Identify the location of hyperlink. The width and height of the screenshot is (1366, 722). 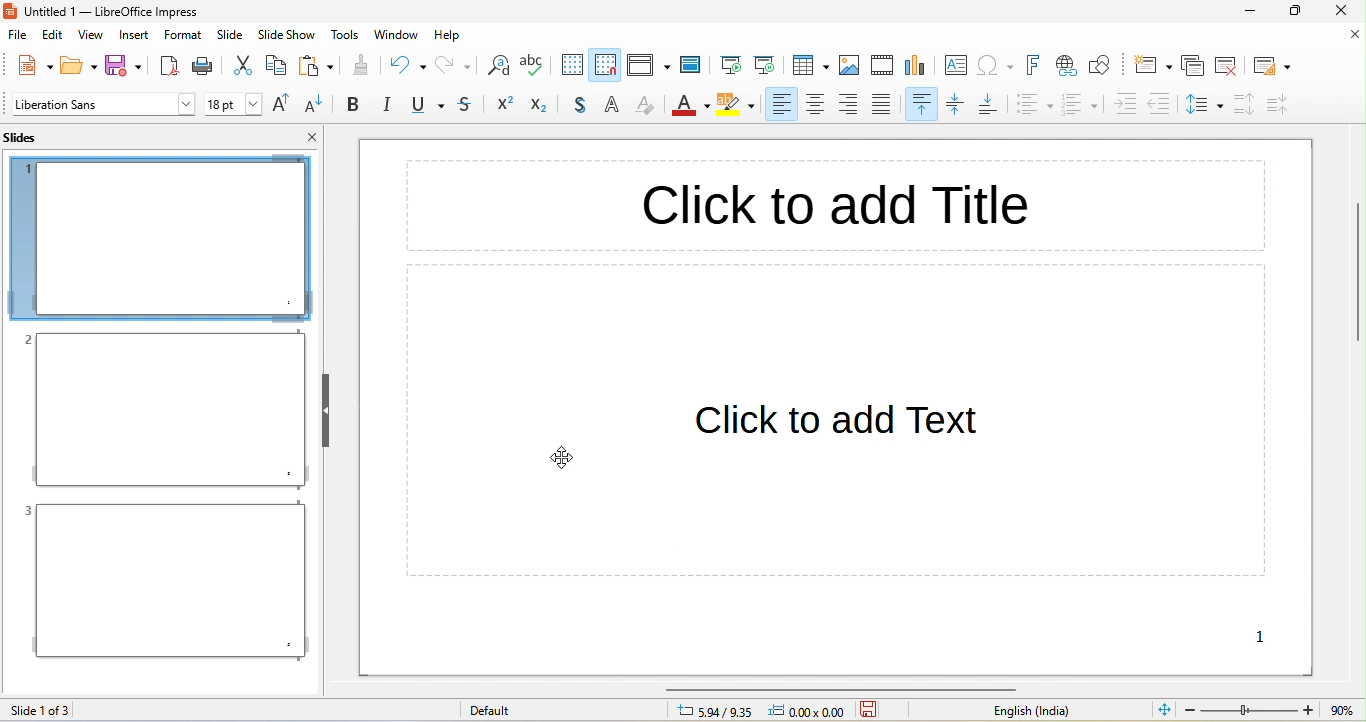
(1068, 68).